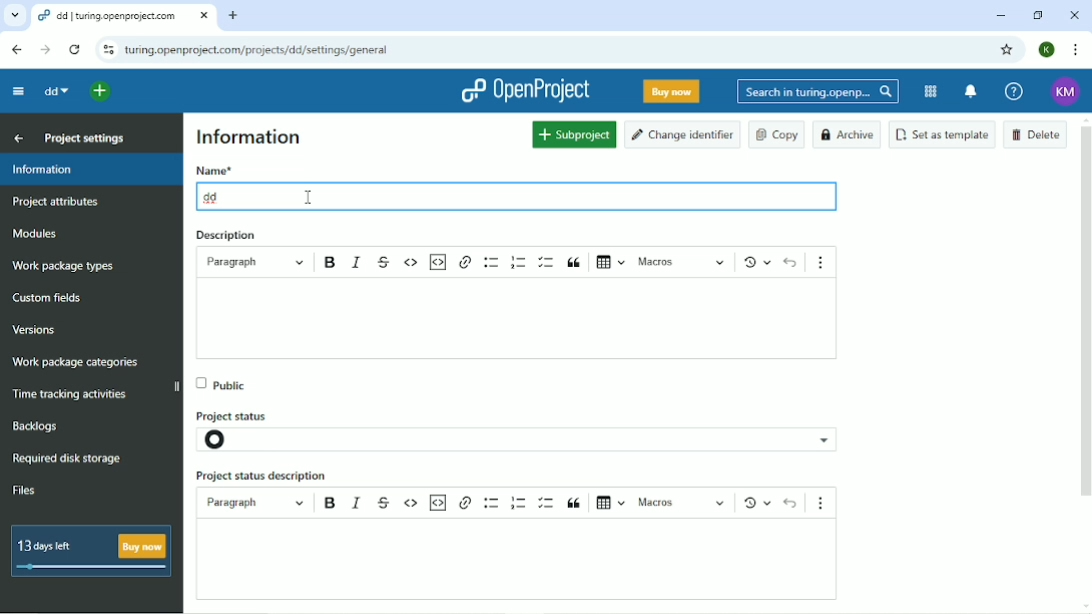 Image resolution: width=1092 pixels, height=614 pixels. What do you see at coordinates (932, 91) in the screenshot?
I see `Modules` at bounding box center [932, 91].